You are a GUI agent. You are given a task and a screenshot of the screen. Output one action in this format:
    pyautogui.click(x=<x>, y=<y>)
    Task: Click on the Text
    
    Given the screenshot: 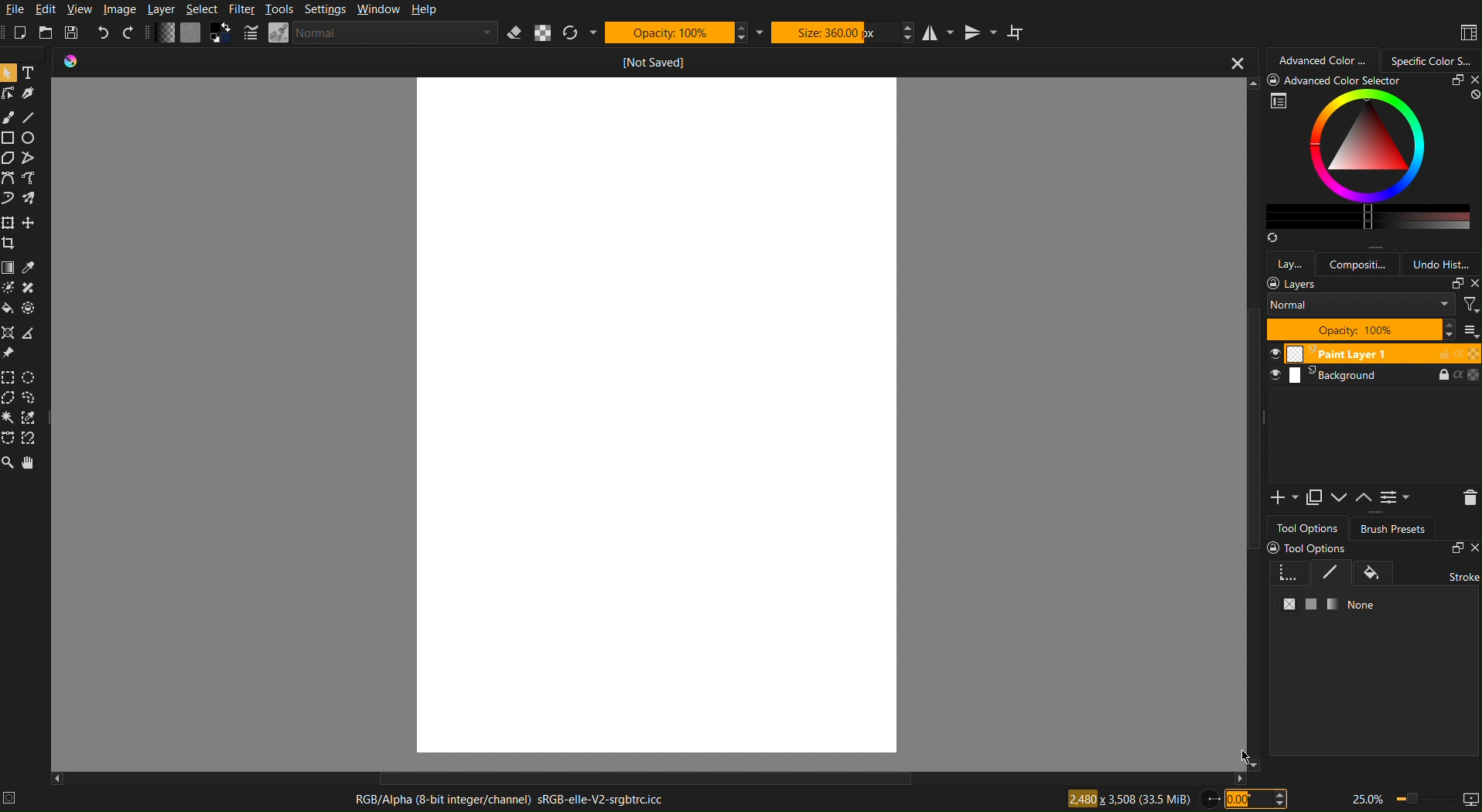 What is the action you would take?
    pyautogui.click(x=30, y=71)
    